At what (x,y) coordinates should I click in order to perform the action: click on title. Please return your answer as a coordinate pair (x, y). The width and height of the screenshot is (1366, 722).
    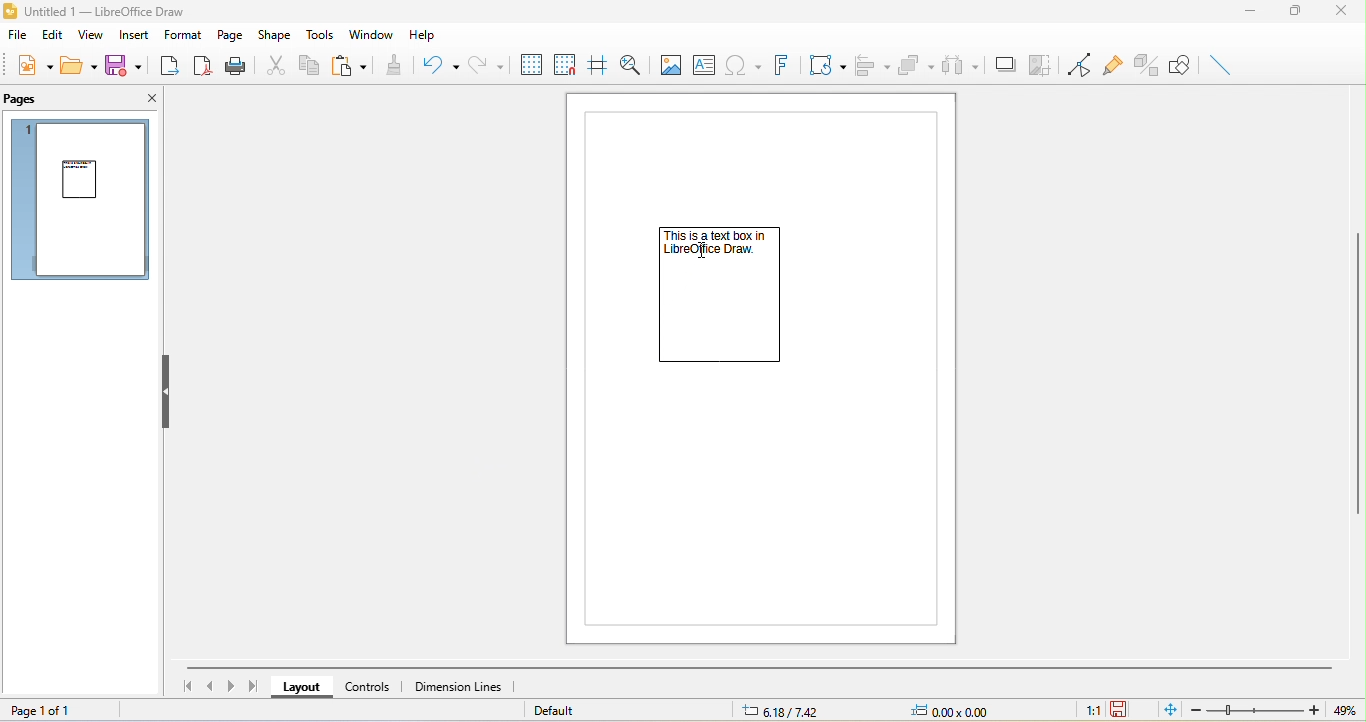
    Looking at the image, I should click on (107, 12).